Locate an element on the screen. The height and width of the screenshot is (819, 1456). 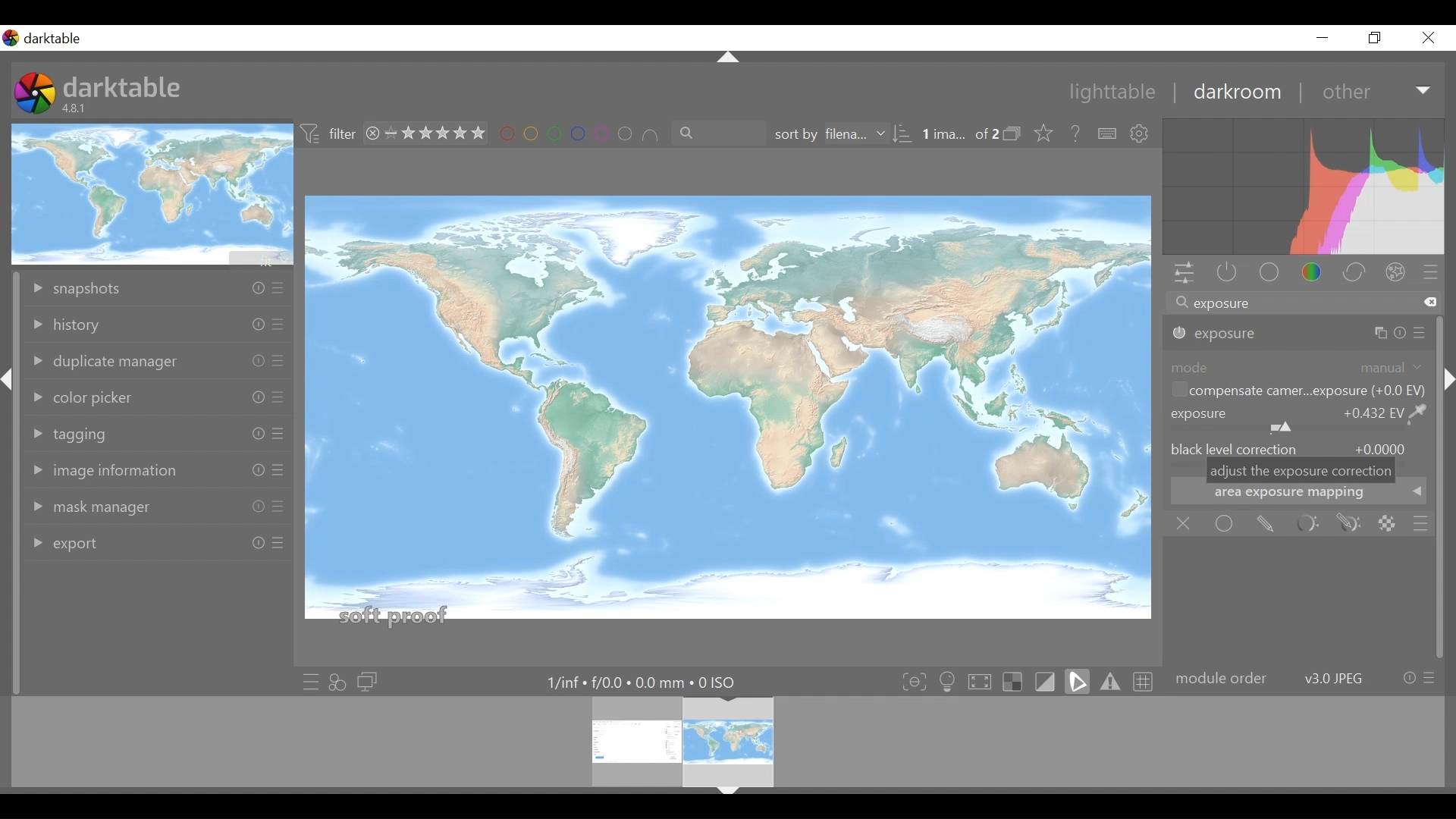
 is located at coordinates (276, 507).